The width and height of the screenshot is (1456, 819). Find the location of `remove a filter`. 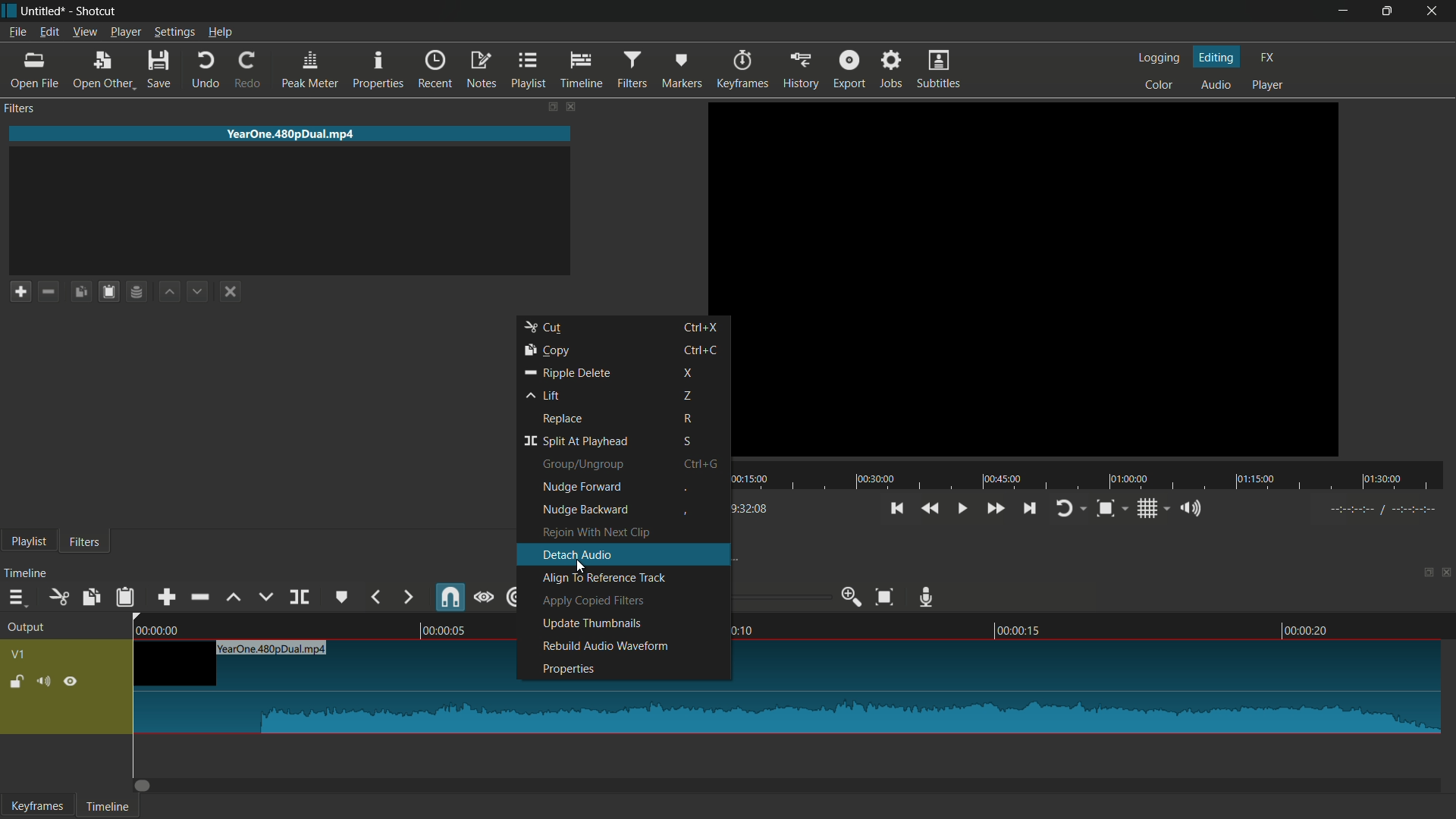

remove a filter is located at coordinates (52, 291).